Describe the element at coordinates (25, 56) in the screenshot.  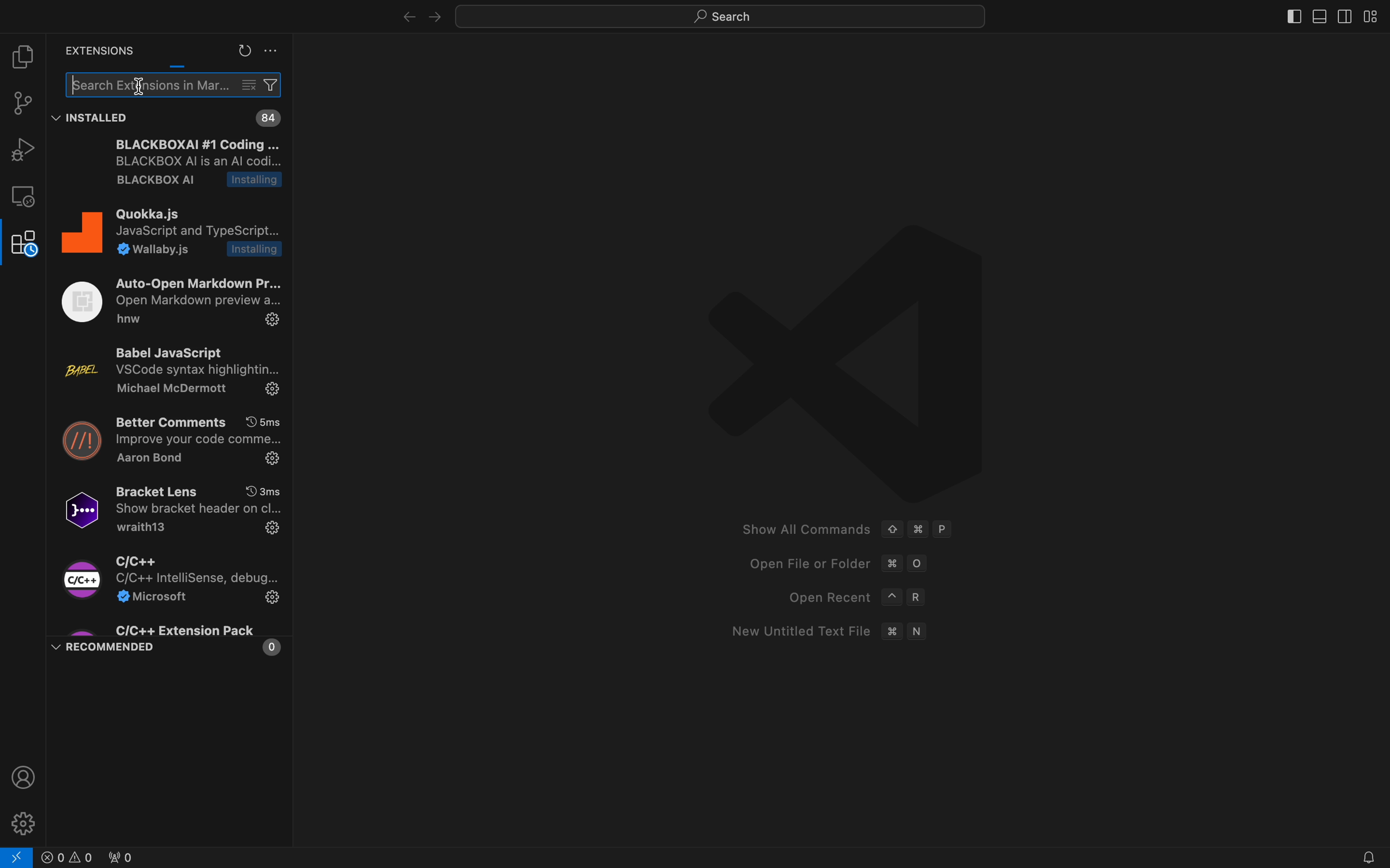
I see `file explorer` at that location.